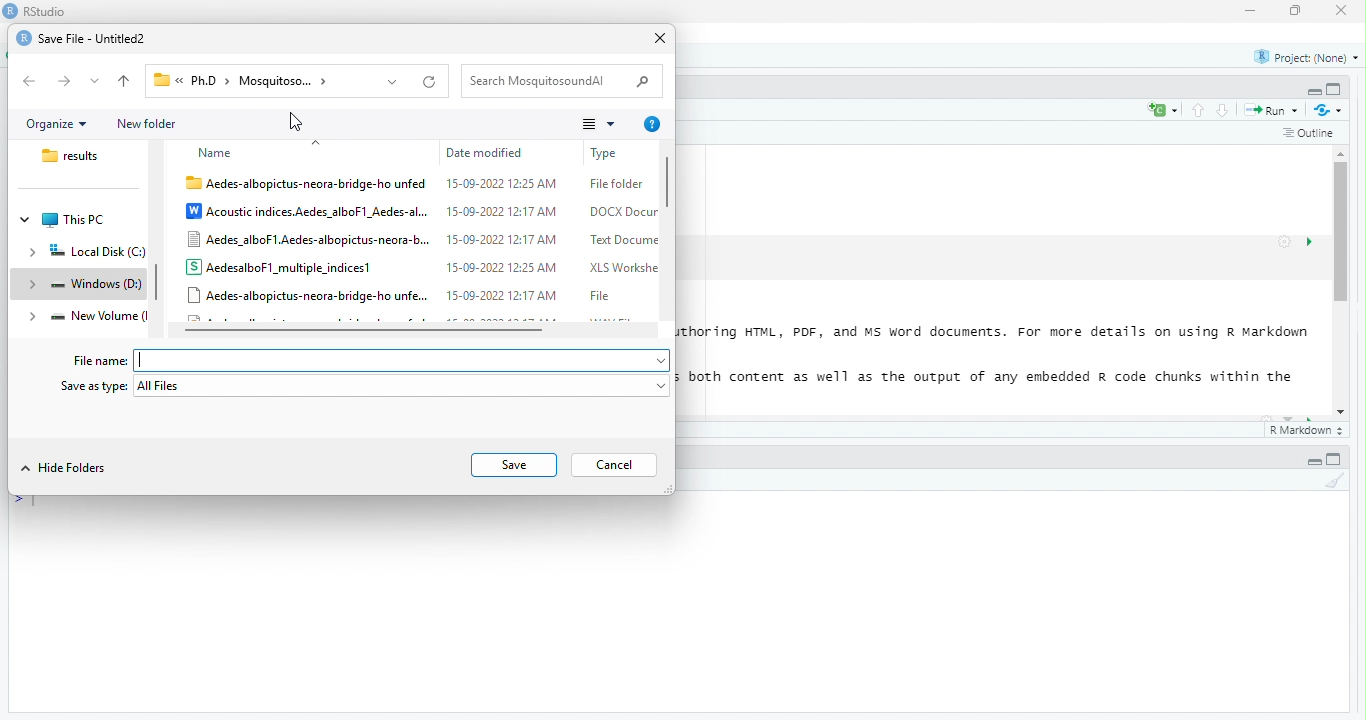 Image resolution: width=1366 pixels, height=720 pixels. Describe the element at coordinates (1275, 111) in the screenshot. I see `Run` at that location.